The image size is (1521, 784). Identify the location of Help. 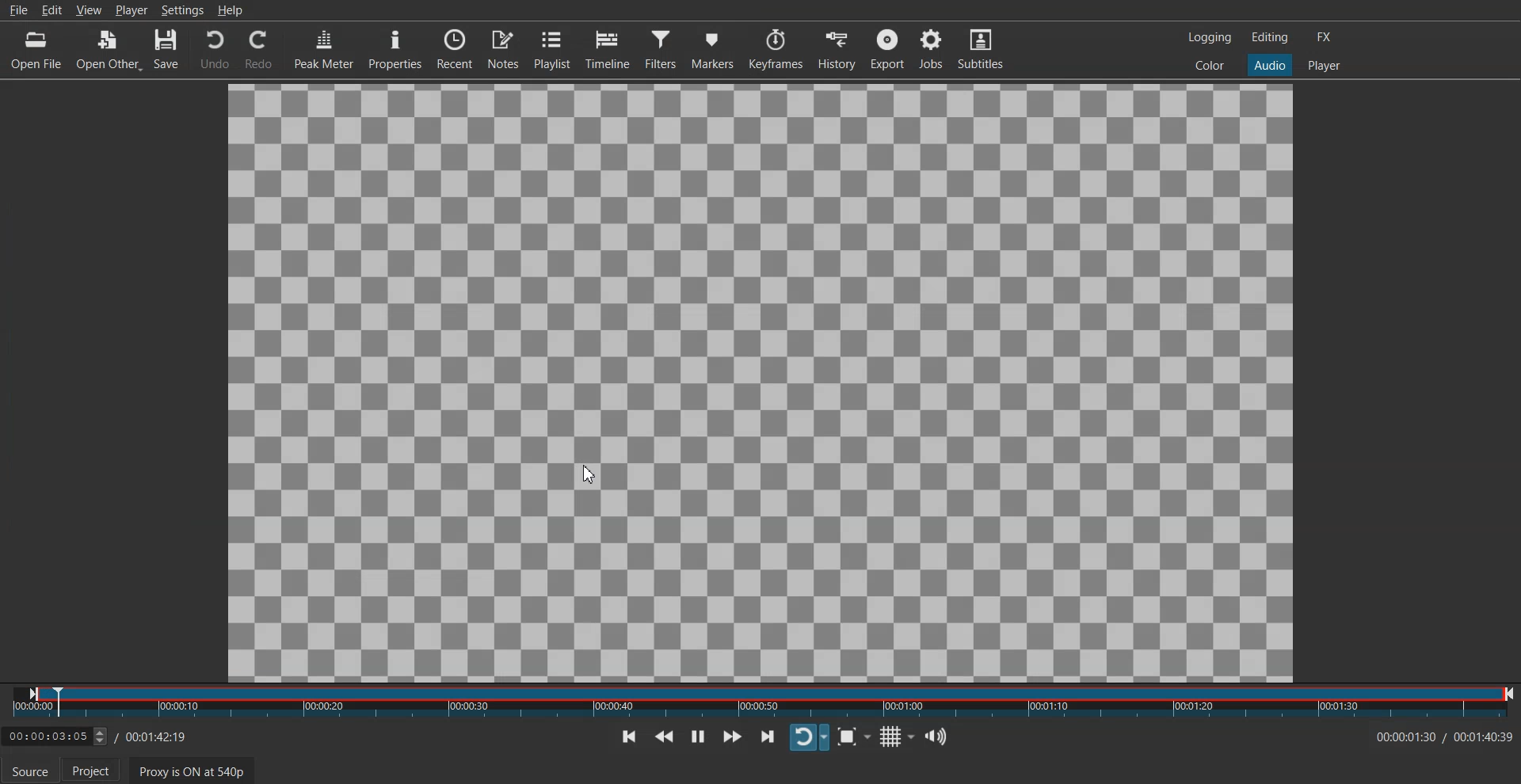
(230, 10).